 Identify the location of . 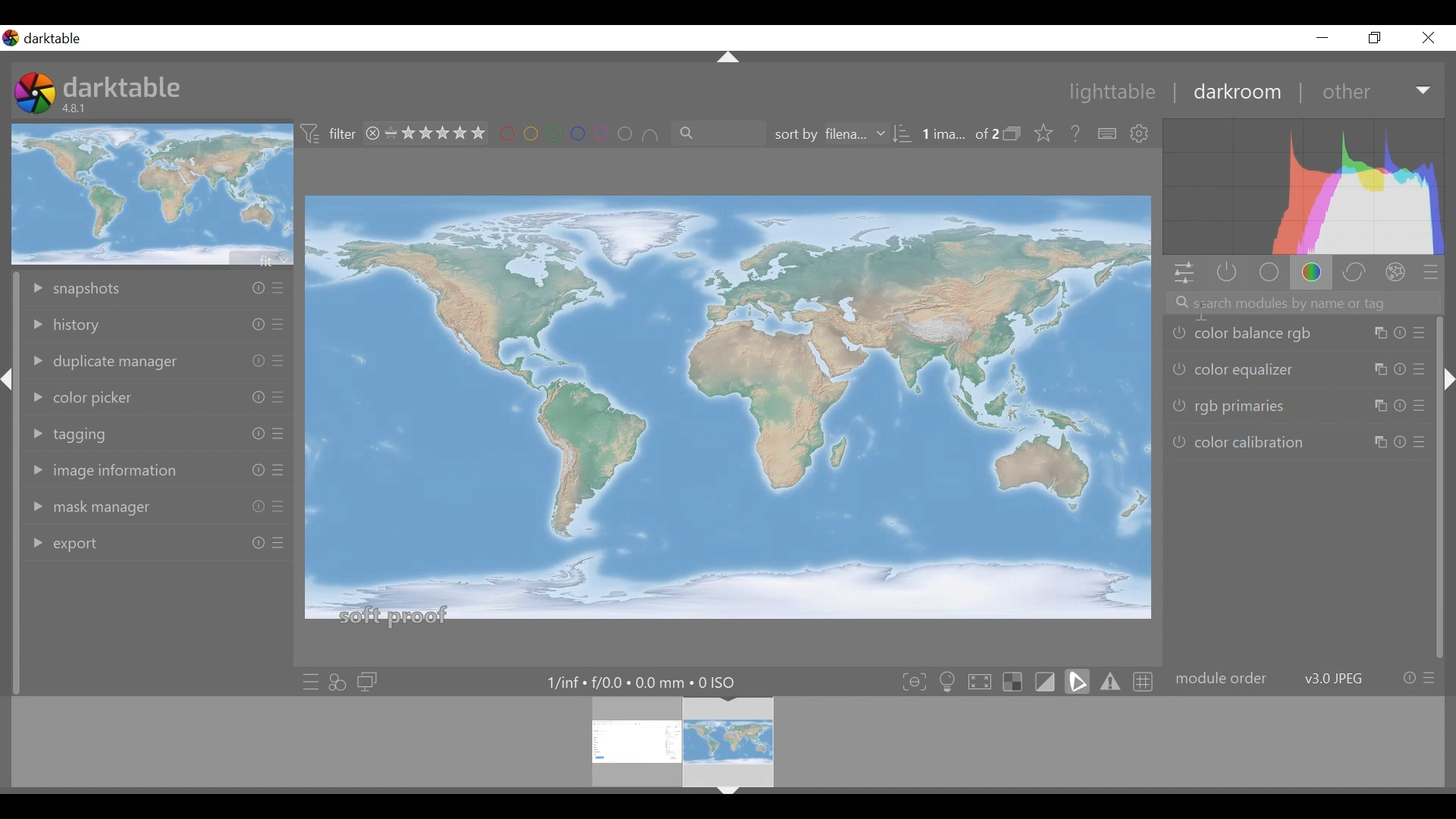
(278, 472).